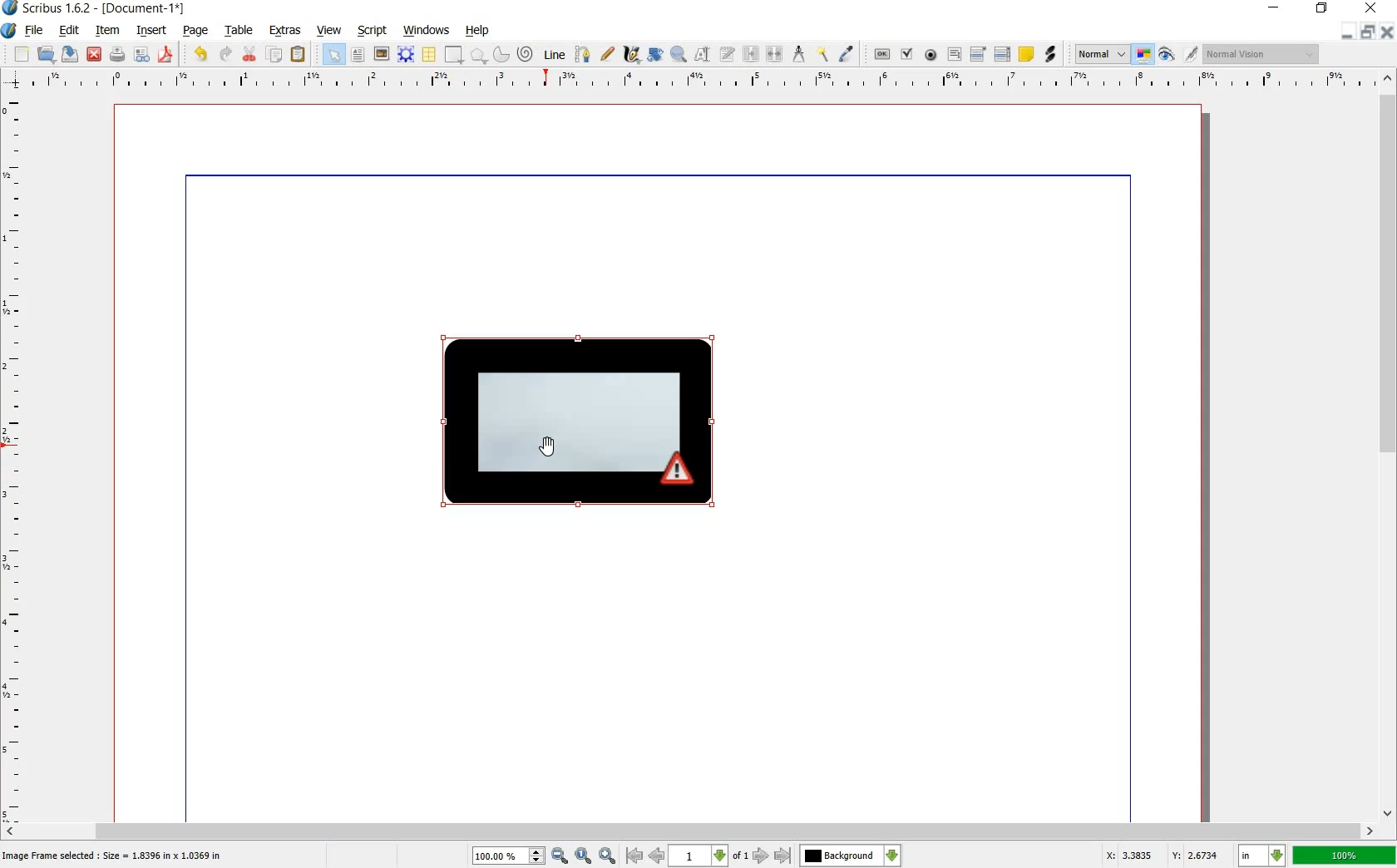  What do you see at coordinates (822, 53) in the screenshot?
I see `copy item properties` at bounding box center [822, 53].